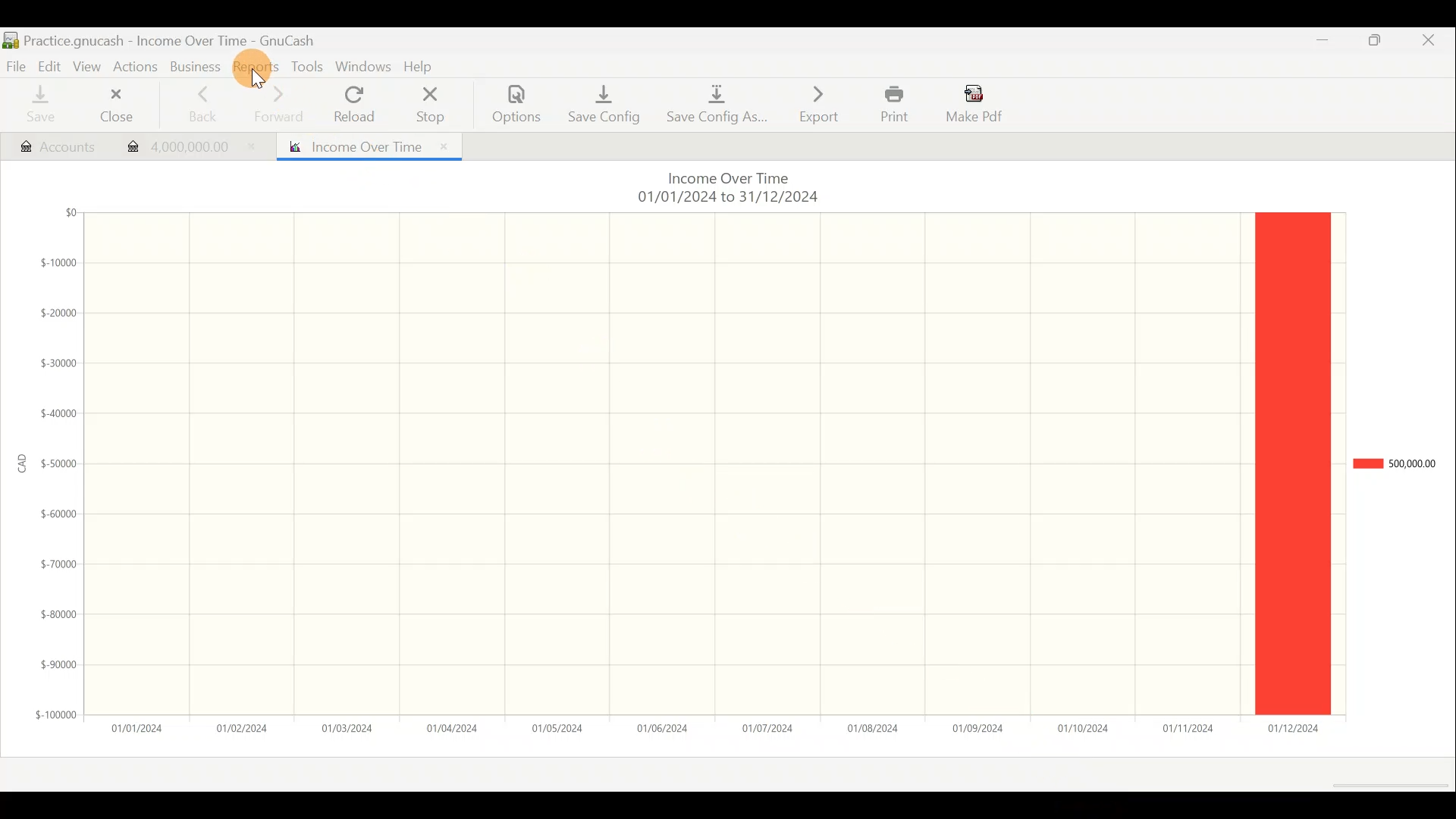 The height and width of the screenshot is (819, 1456). Describe the element at coordinates (362, 147) in the screenshot. I see `Report` at that location.